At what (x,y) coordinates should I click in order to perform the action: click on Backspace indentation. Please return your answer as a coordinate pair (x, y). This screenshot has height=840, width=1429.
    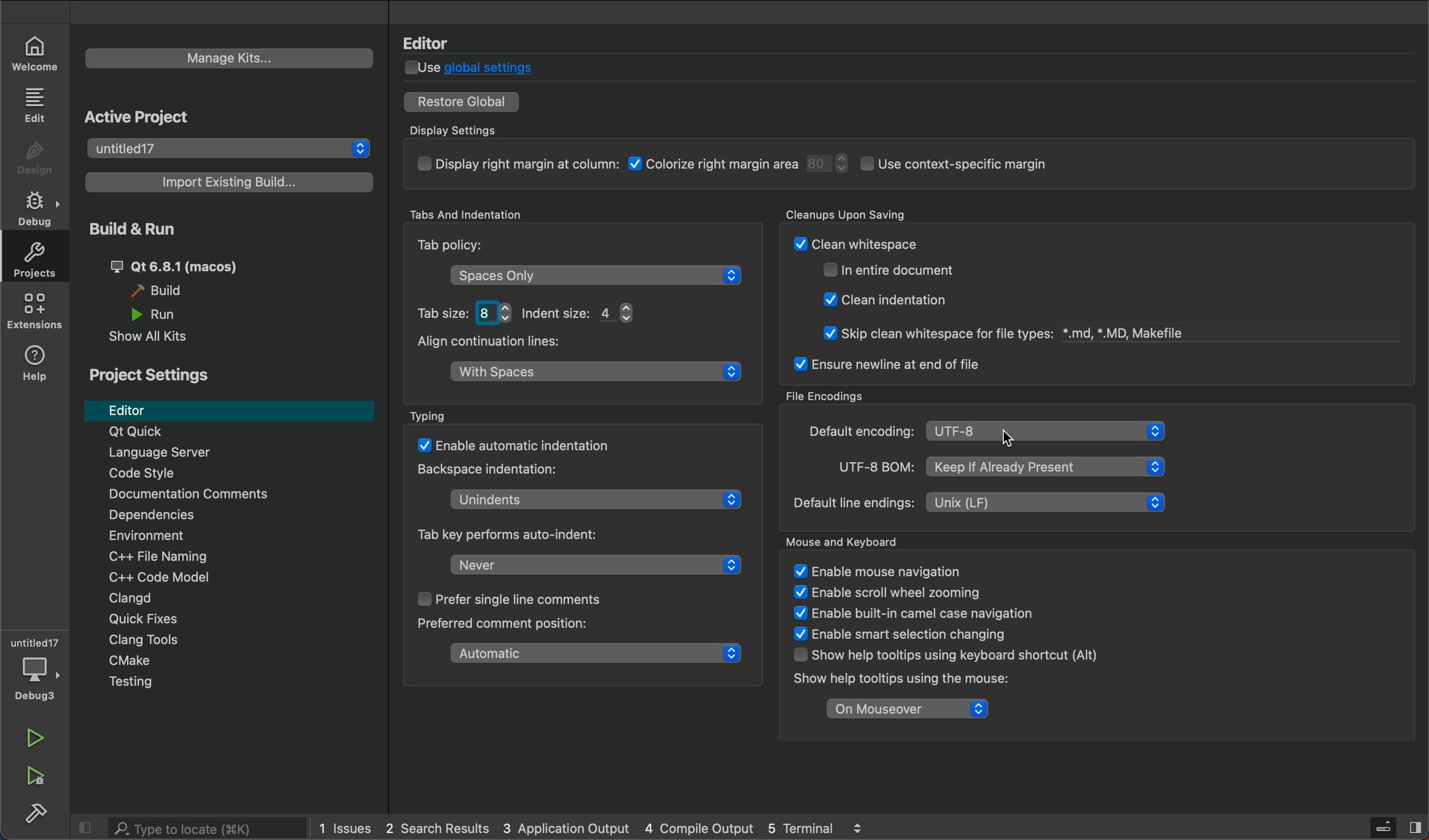
    Looking at the image, I should click on (491, 473).